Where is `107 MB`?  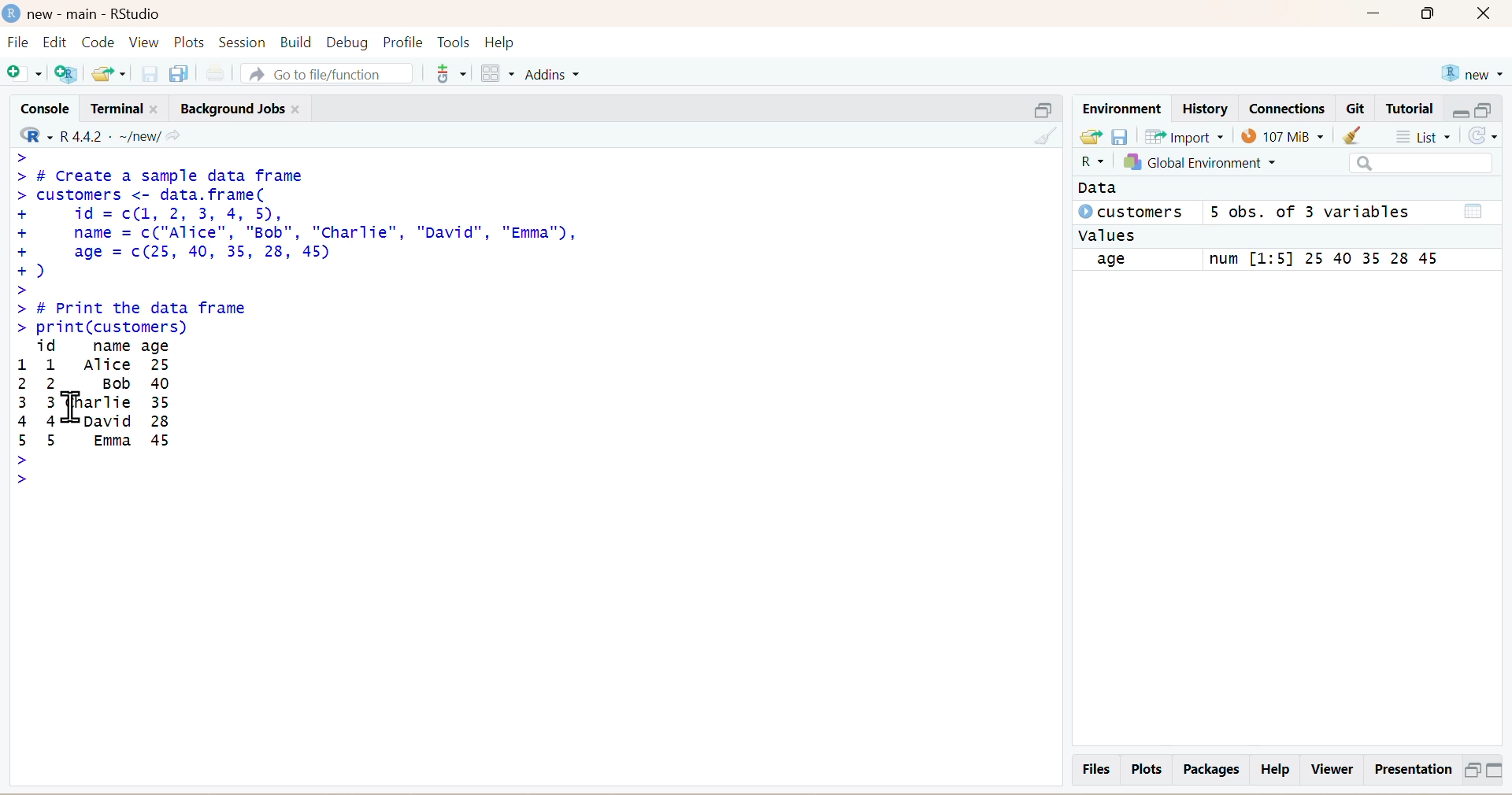 107 MB is located at coordinates (1283, 135).